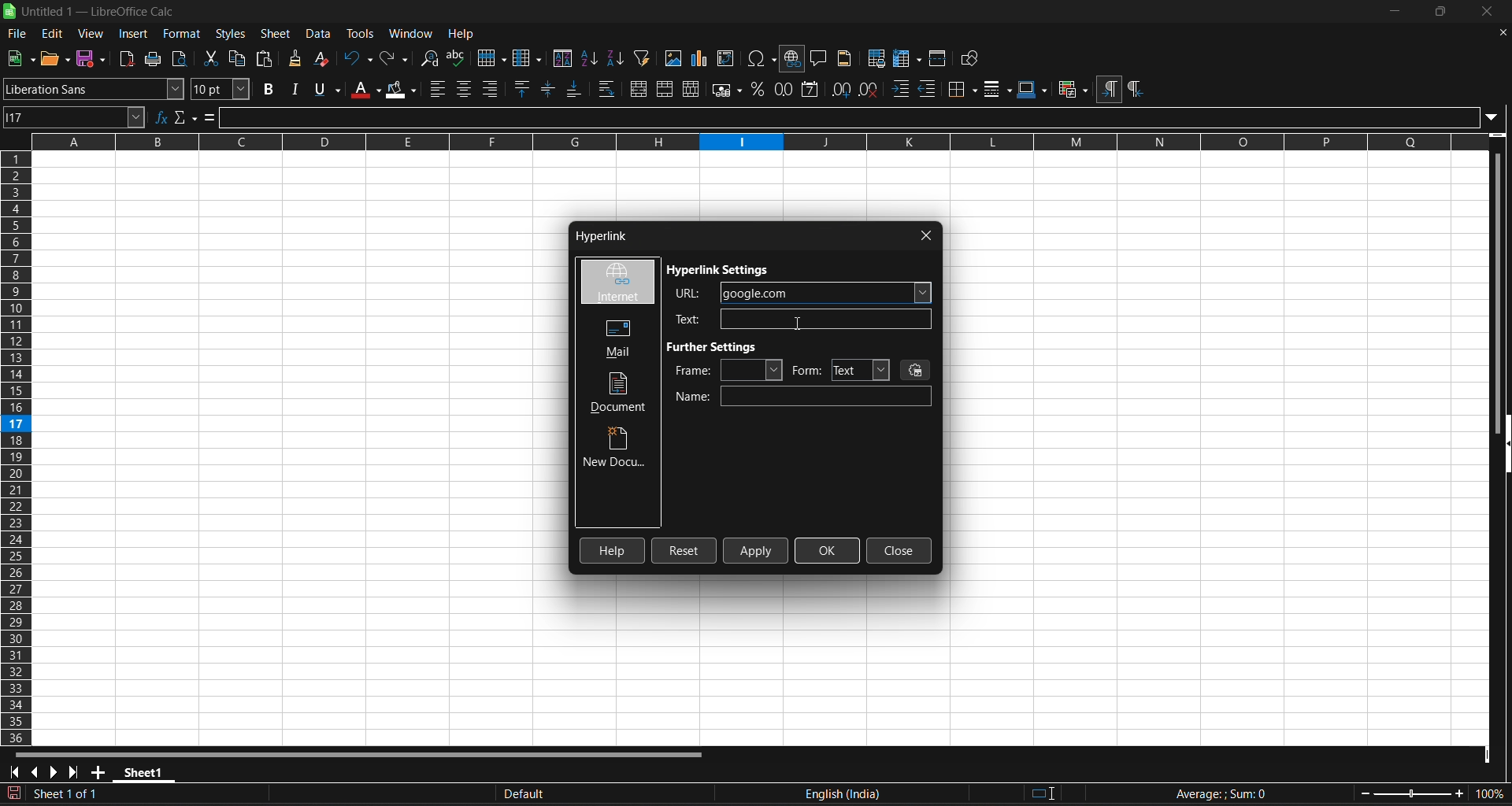  What do you see at coordinates (231, 34) in the screenshot?
I see `styles` at bounding box center [231, 34].